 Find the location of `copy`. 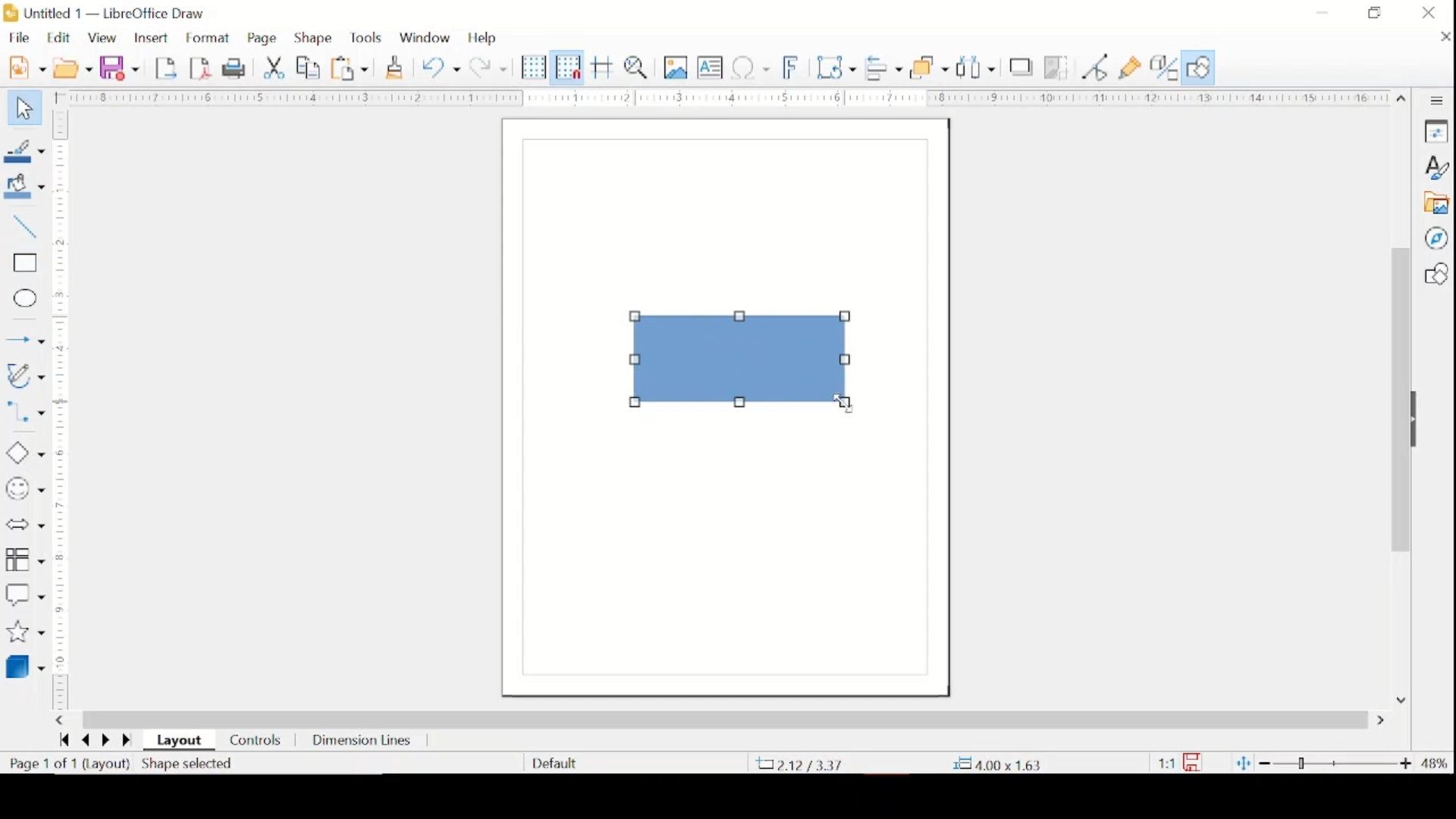

copy is located at coordinates (310, 68).